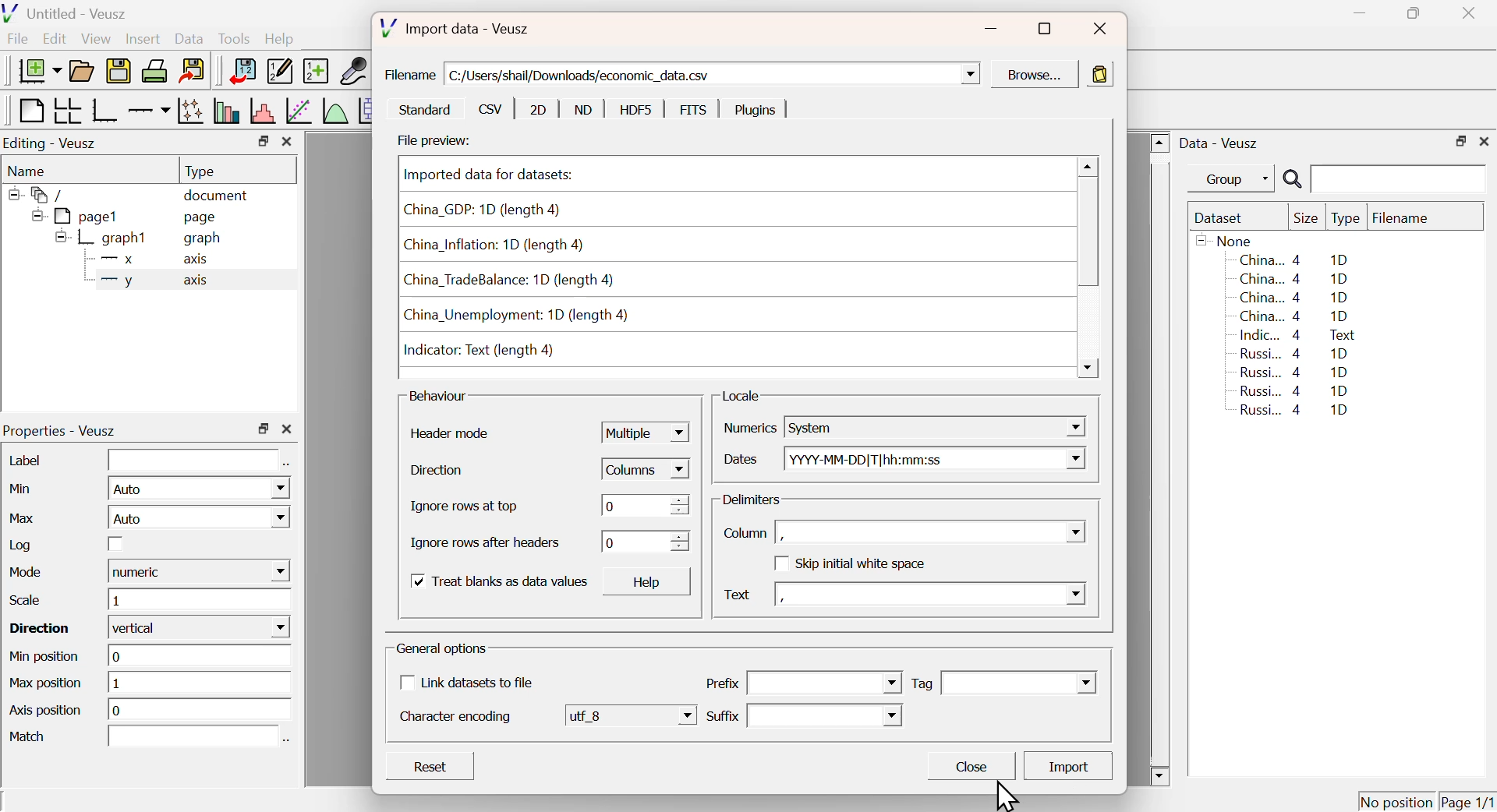 The height and width of the screenshot is (812, 1497). Describe the element at coordinates (423, 111) in the screenshot. I see `Standard` at that location.